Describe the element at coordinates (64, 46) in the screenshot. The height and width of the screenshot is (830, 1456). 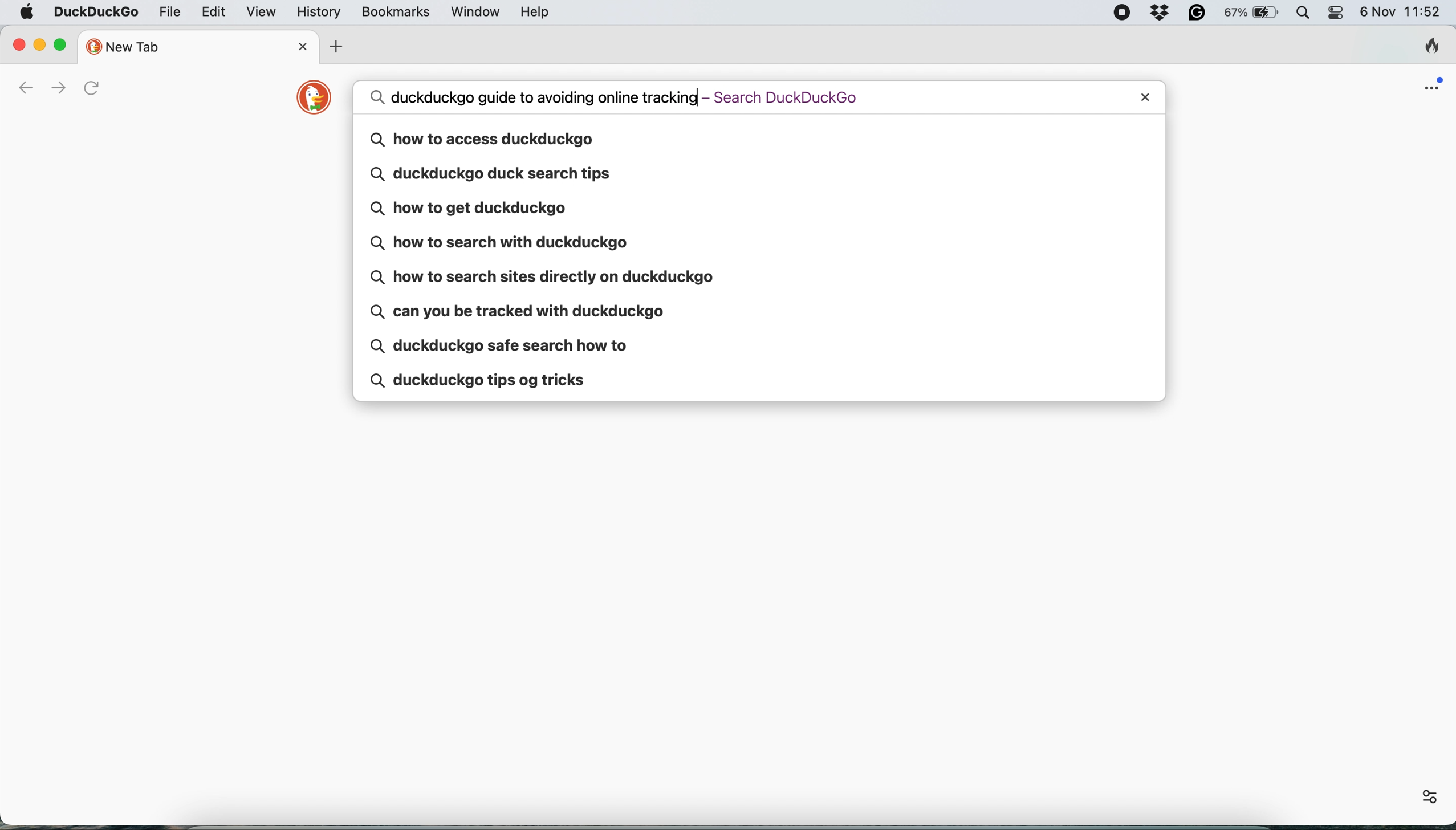
I see `maximise` at that location.